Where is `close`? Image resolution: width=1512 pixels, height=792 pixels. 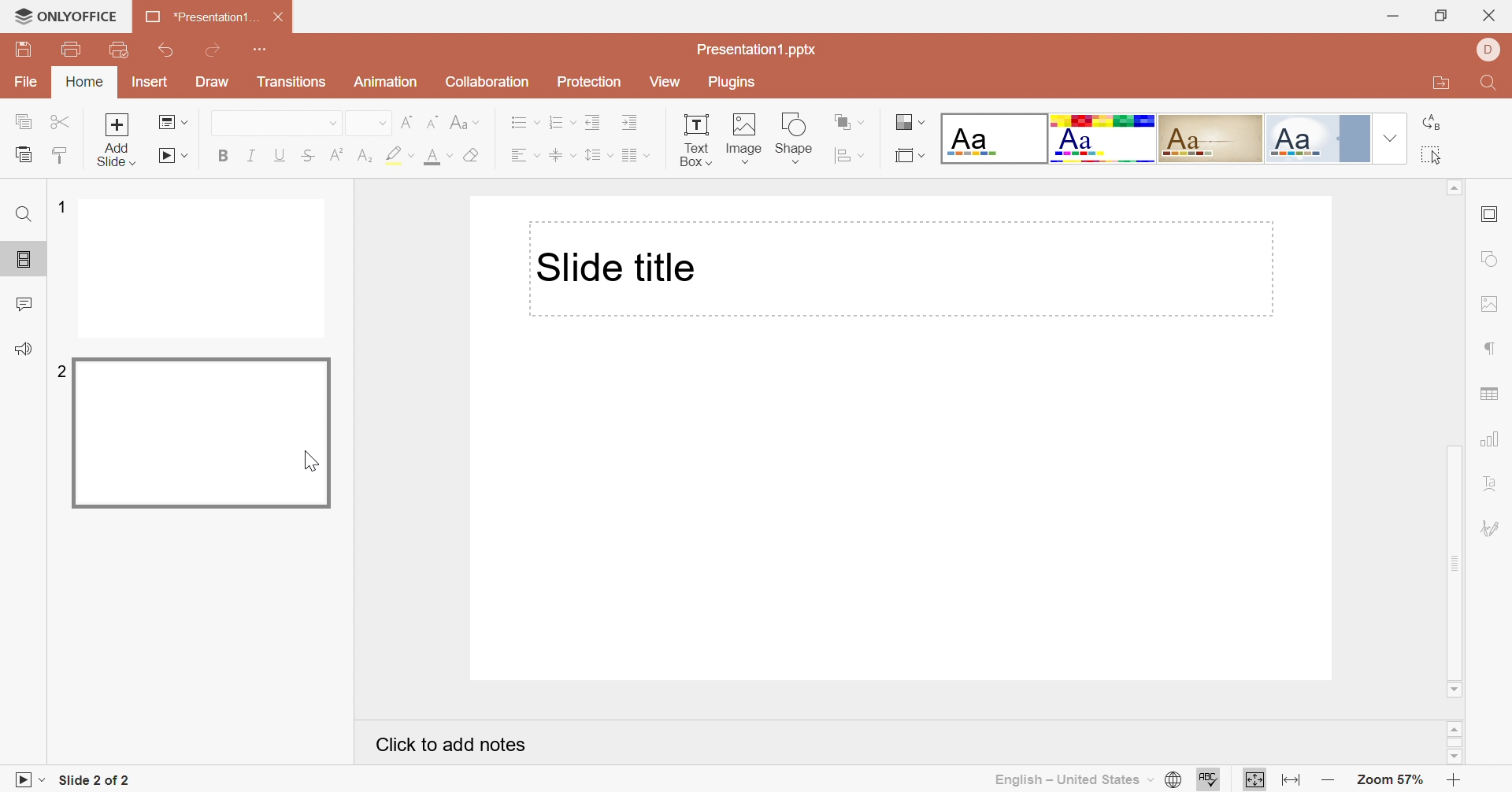 close is located at coordinates (1488, 17).